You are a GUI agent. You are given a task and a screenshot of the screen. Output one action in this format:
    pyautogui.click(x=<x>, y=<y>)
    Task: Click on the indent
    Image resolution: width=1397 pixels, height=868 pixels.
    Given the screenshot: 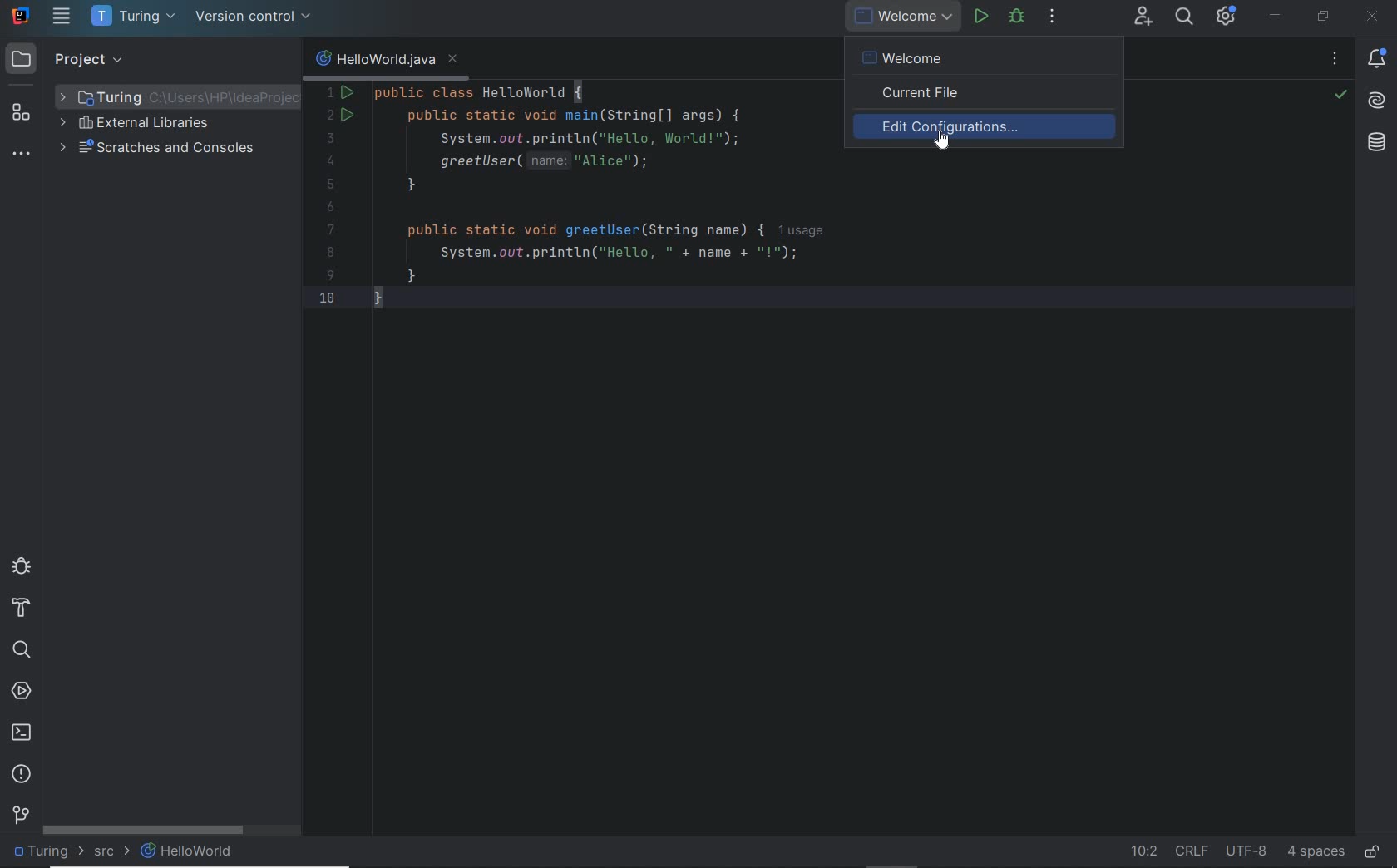 What is the action you would take?
    pyautogui.click(x=1316, y=852)
    